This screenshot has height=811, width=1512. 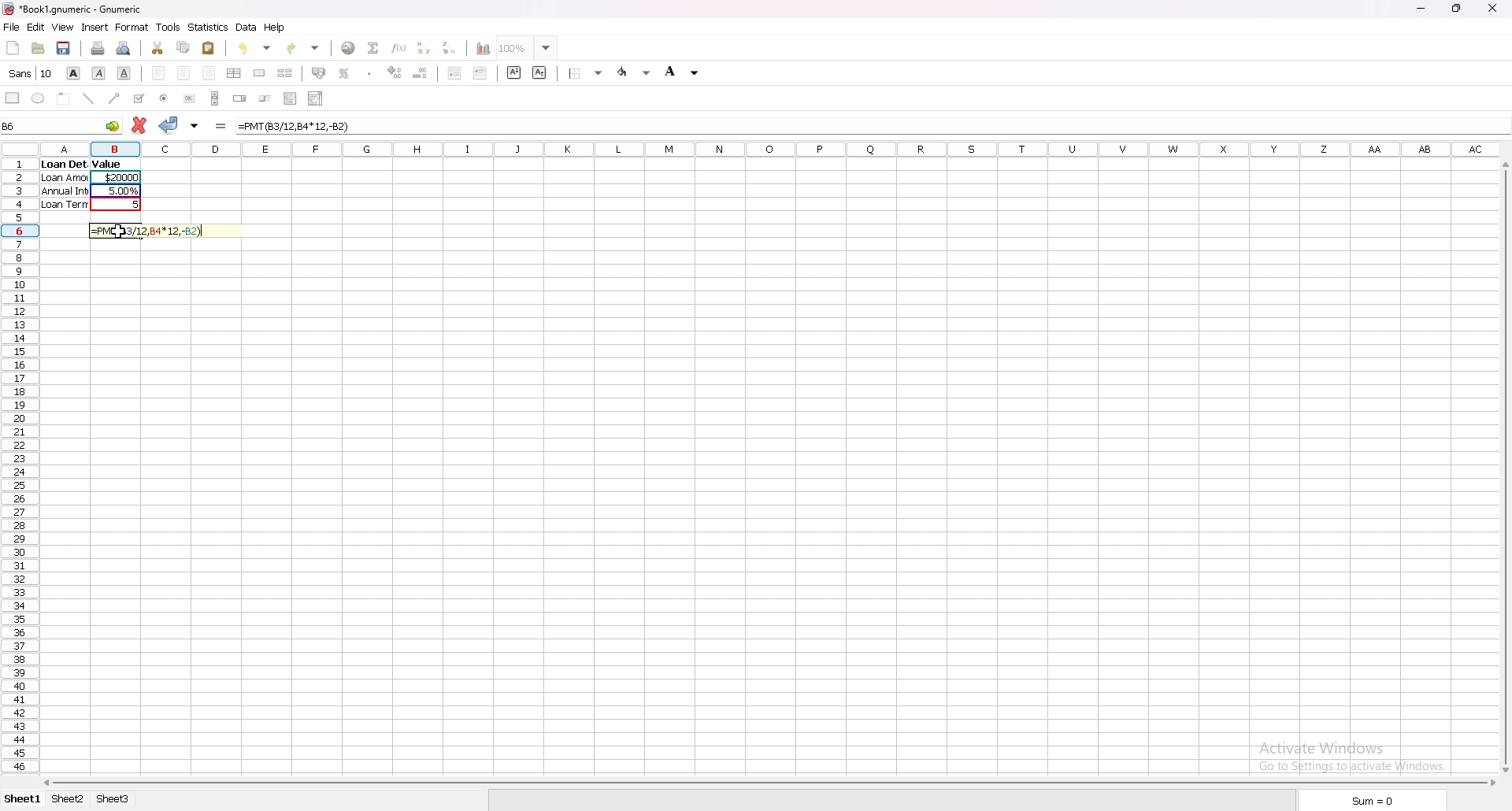 I want to click on list, so click(x=290, y=98).